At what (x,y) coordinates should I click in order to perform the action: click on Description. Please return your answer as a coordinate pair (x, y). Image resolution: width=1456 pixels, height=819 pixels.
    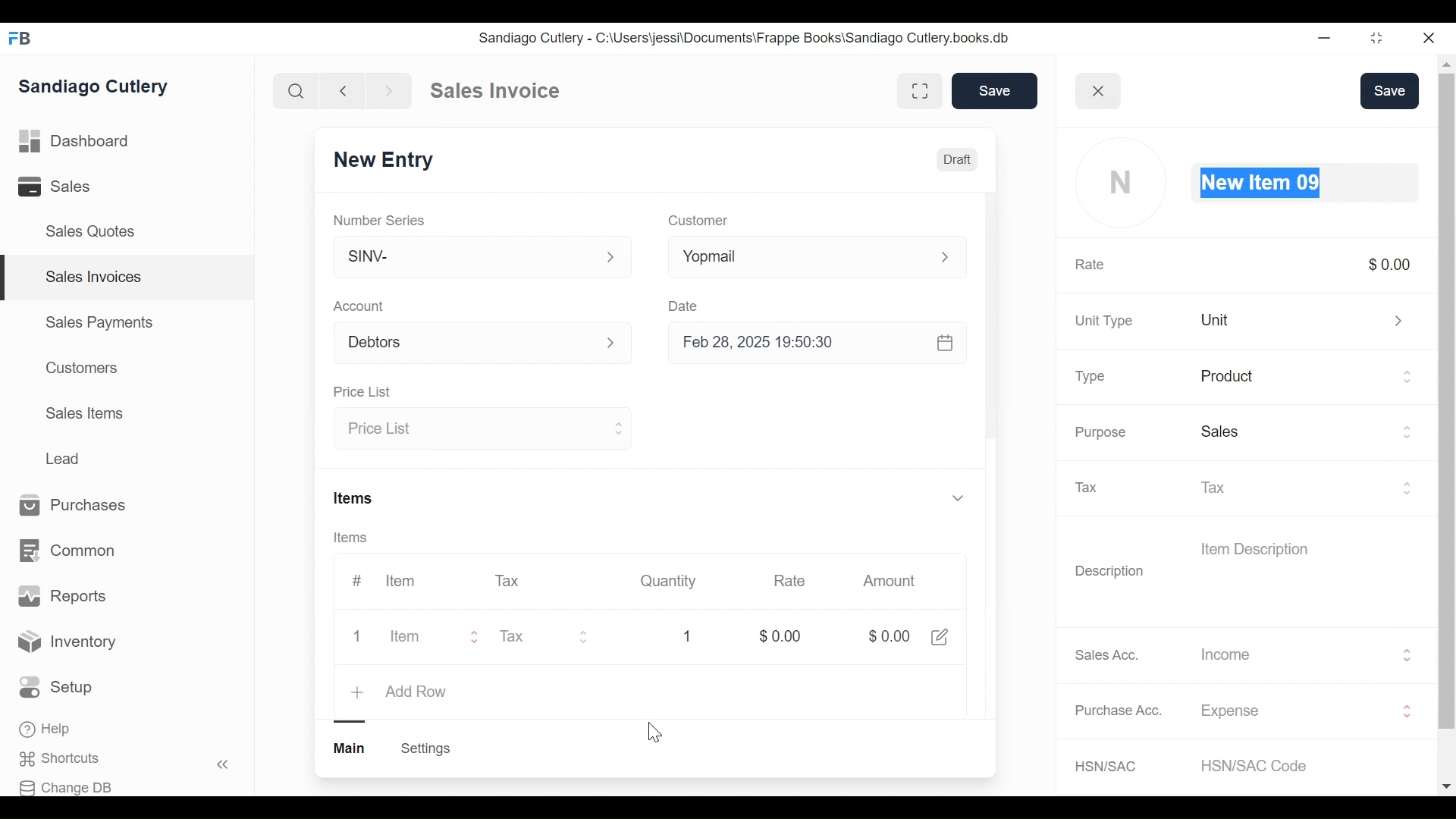
    Looking at the image, I should click on (1110, 573).